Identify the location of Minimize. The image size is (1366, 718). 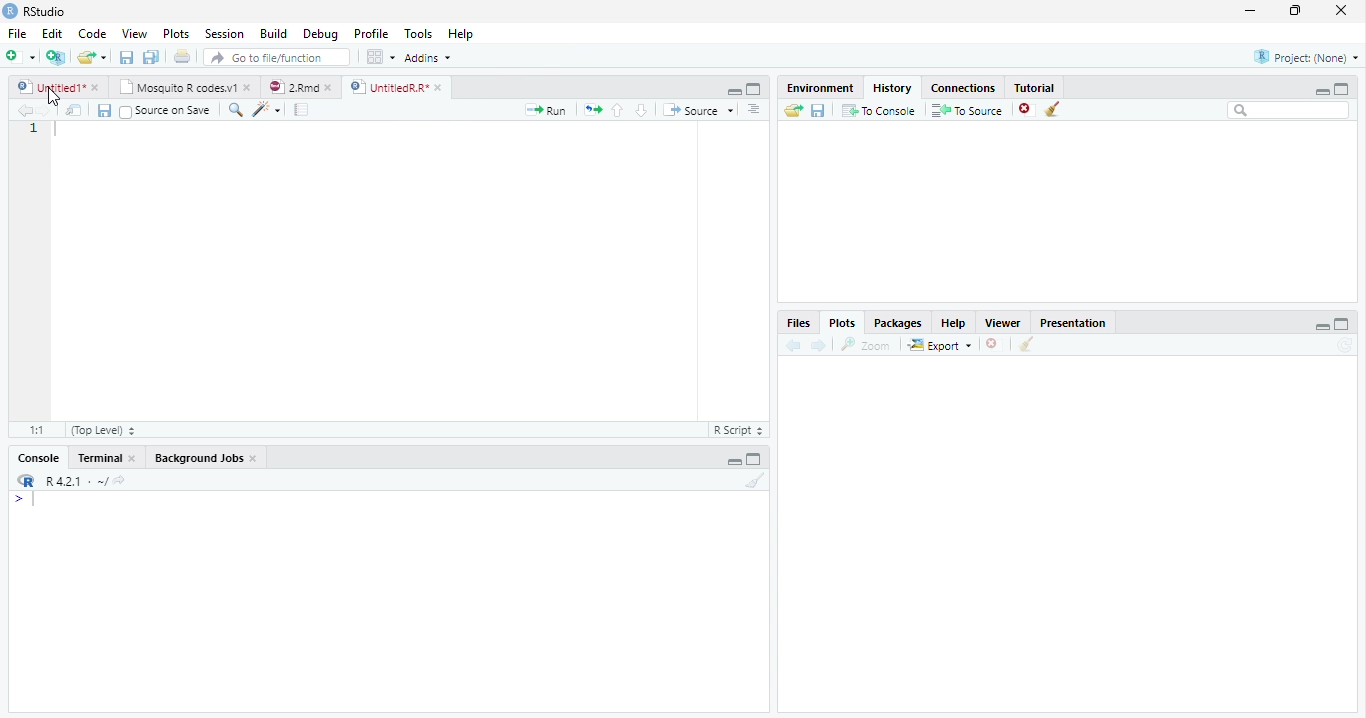
(1318, 326).